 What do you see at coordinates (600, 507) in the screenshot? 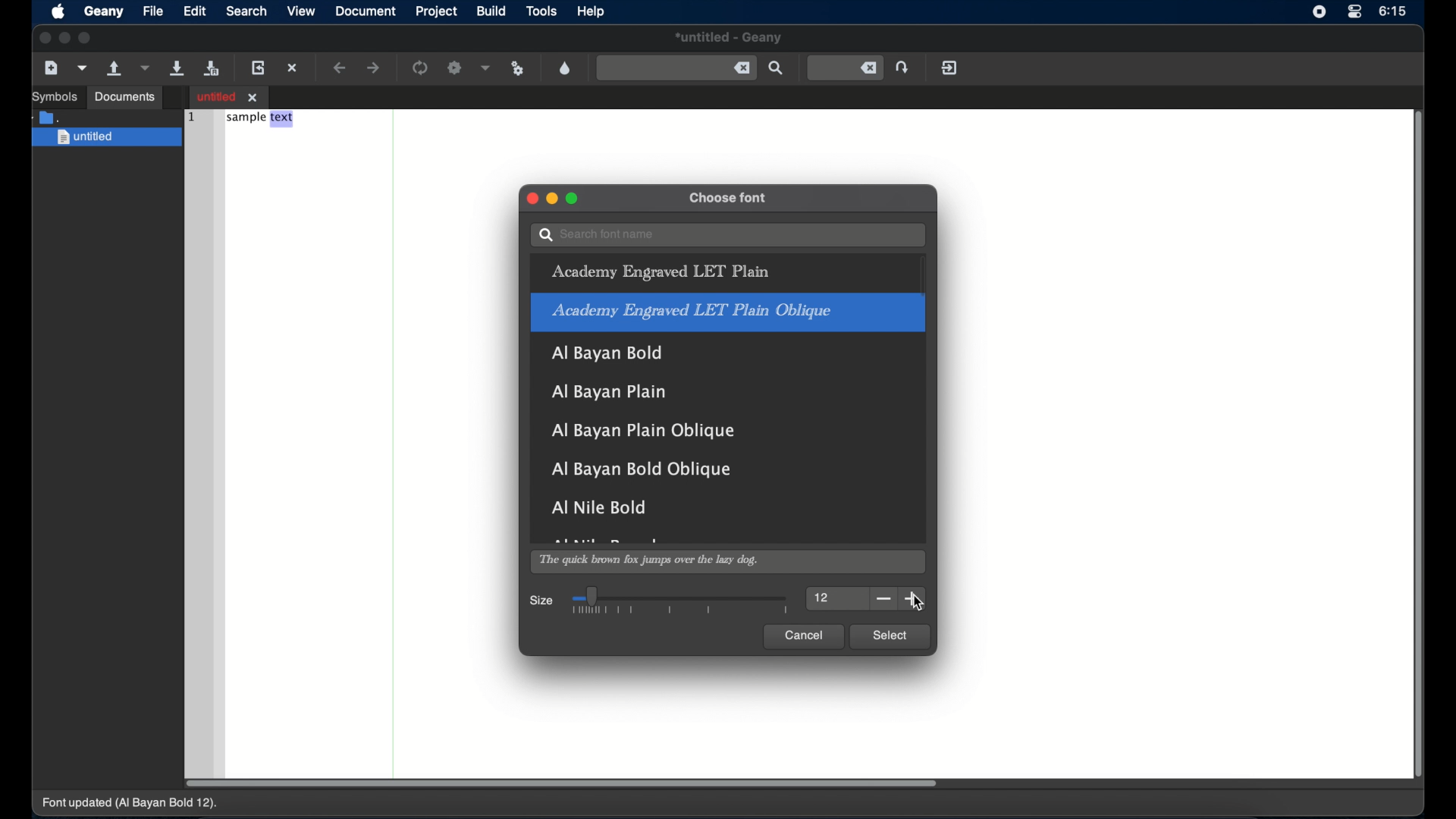
I see `al nile bold` at bounding box center [600, 507].